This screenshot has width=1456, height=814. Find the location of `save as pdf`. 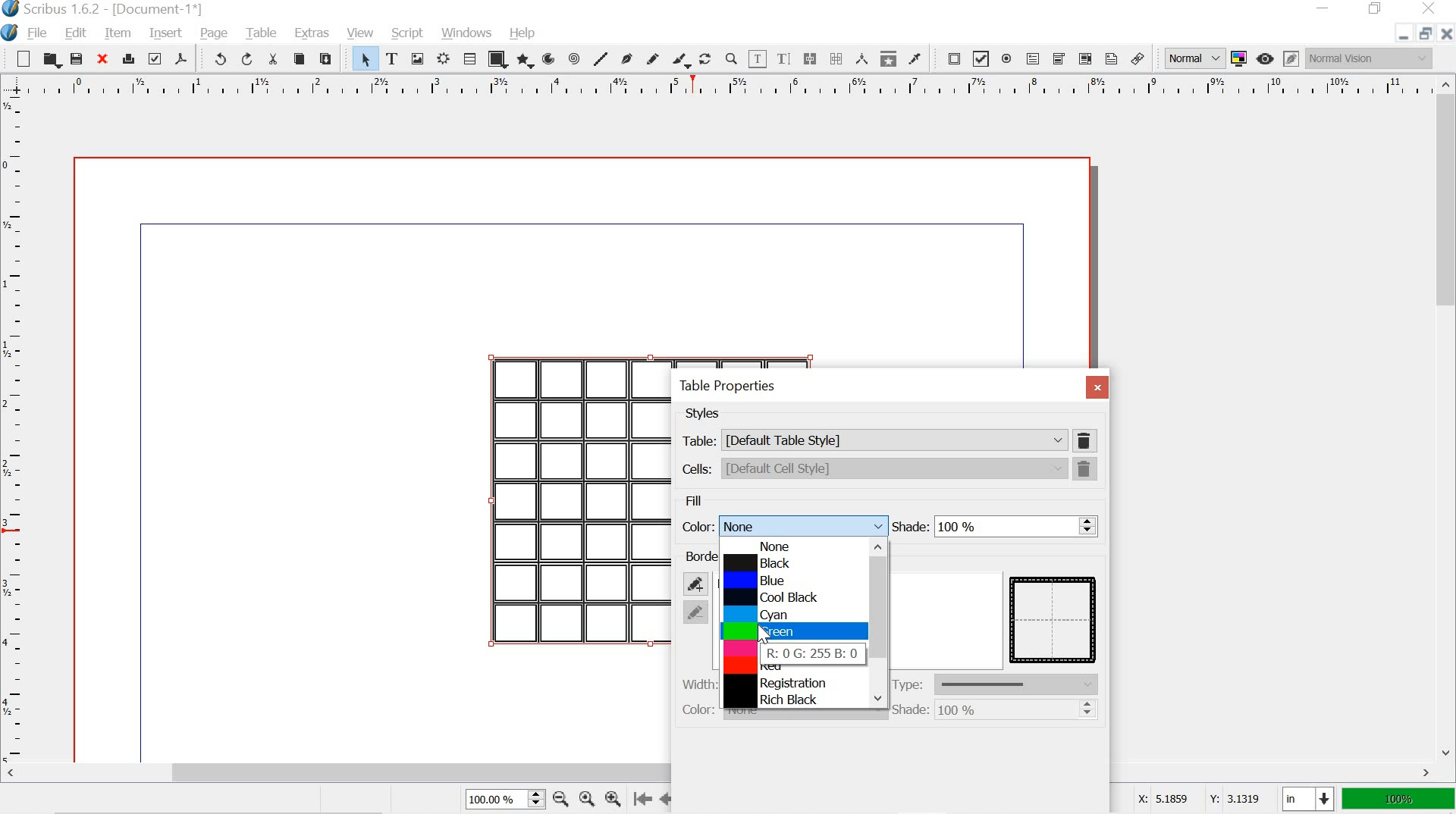

save as pdf is located at coordinates (182, 58).